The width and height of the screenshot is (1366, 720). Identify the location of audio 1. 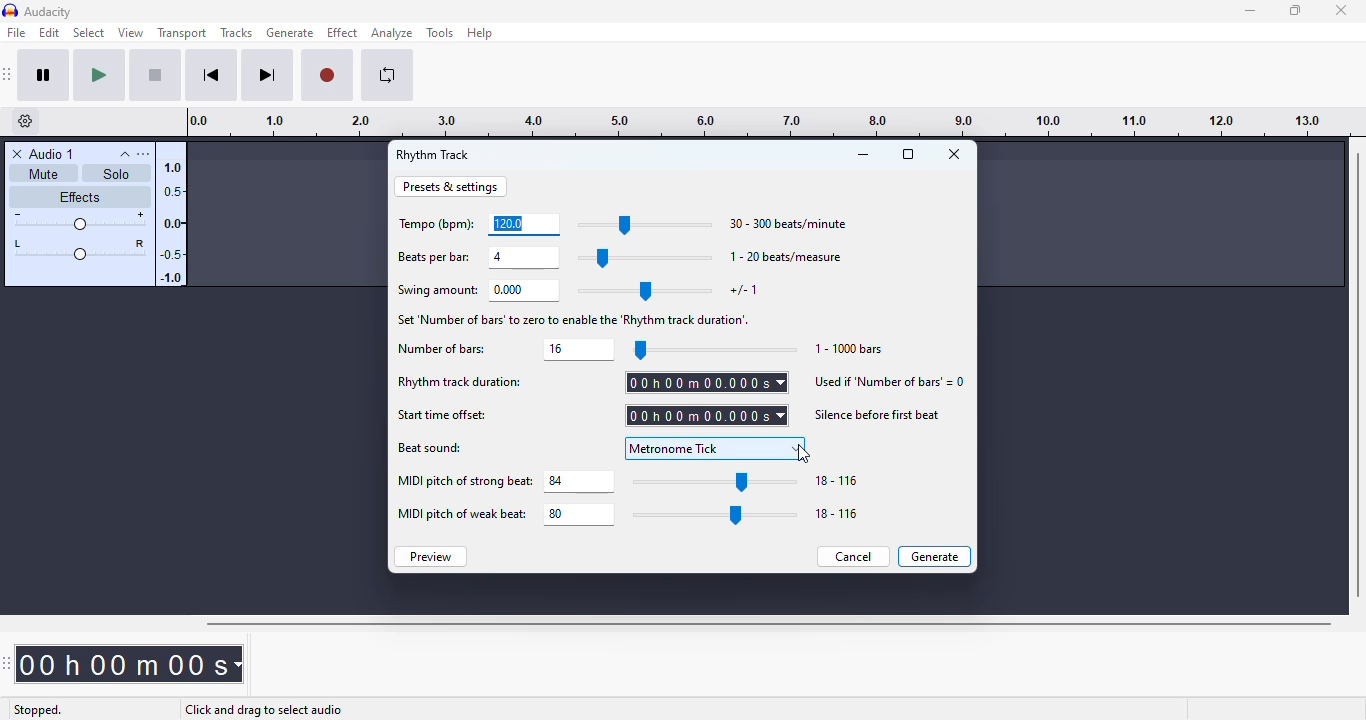
(53, 154).